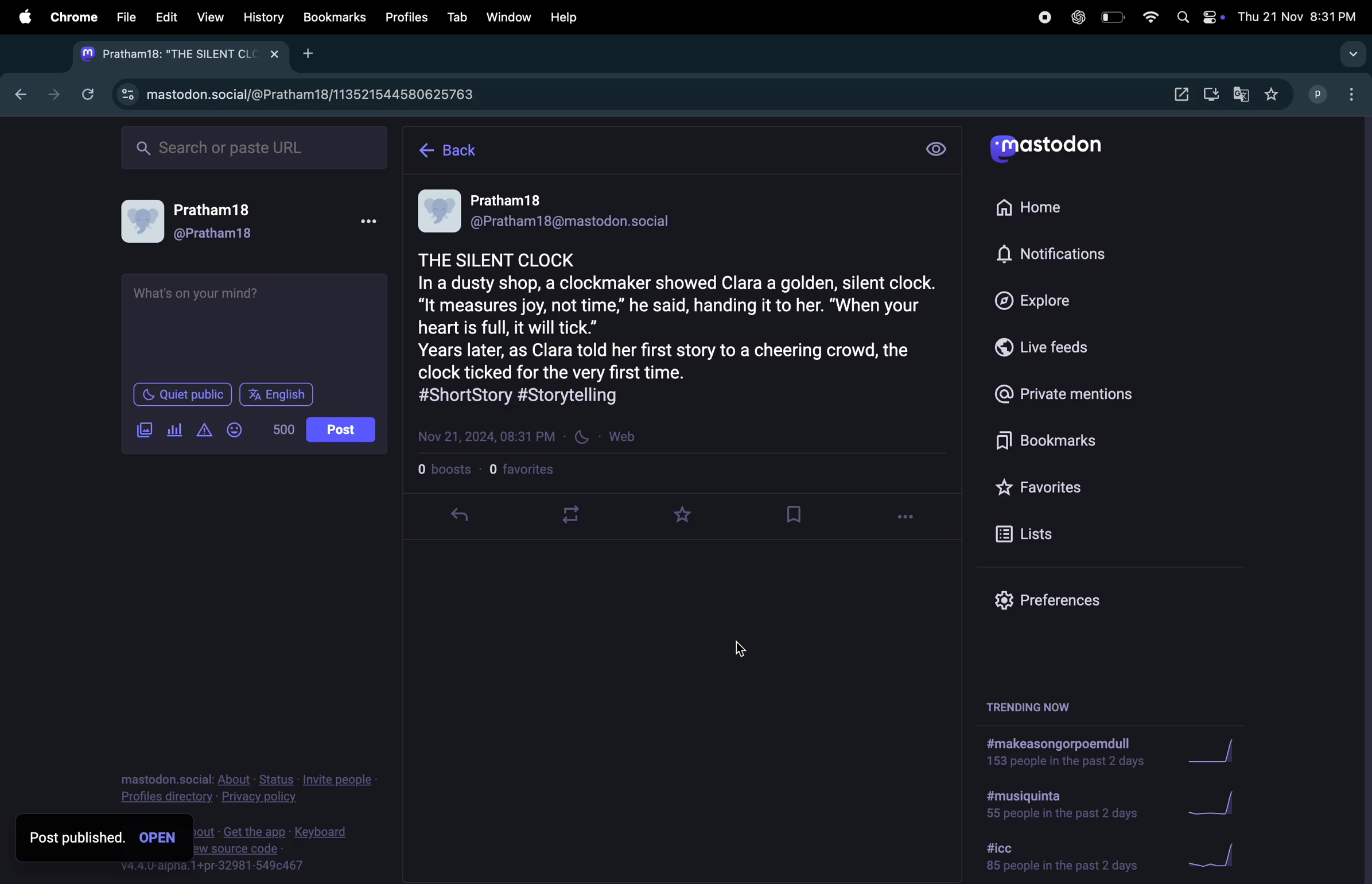 This screenshot has width=1372, height=884. Describe the element at coordinates (507, 197) in the screenshot. I see `name` at that location.